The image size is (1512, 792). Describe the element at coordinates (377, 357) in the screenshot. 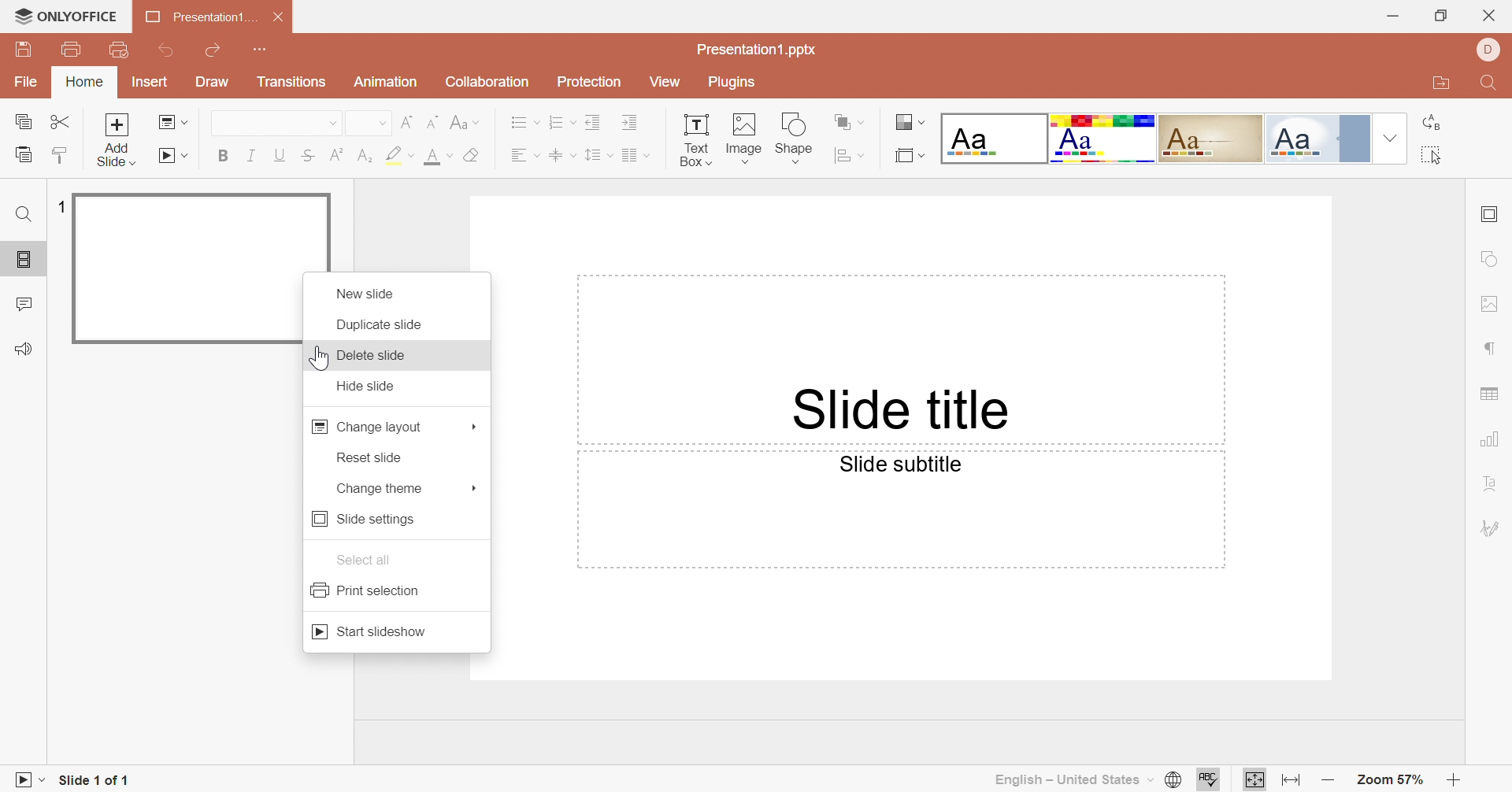

I see `Delete Slide` at that location.